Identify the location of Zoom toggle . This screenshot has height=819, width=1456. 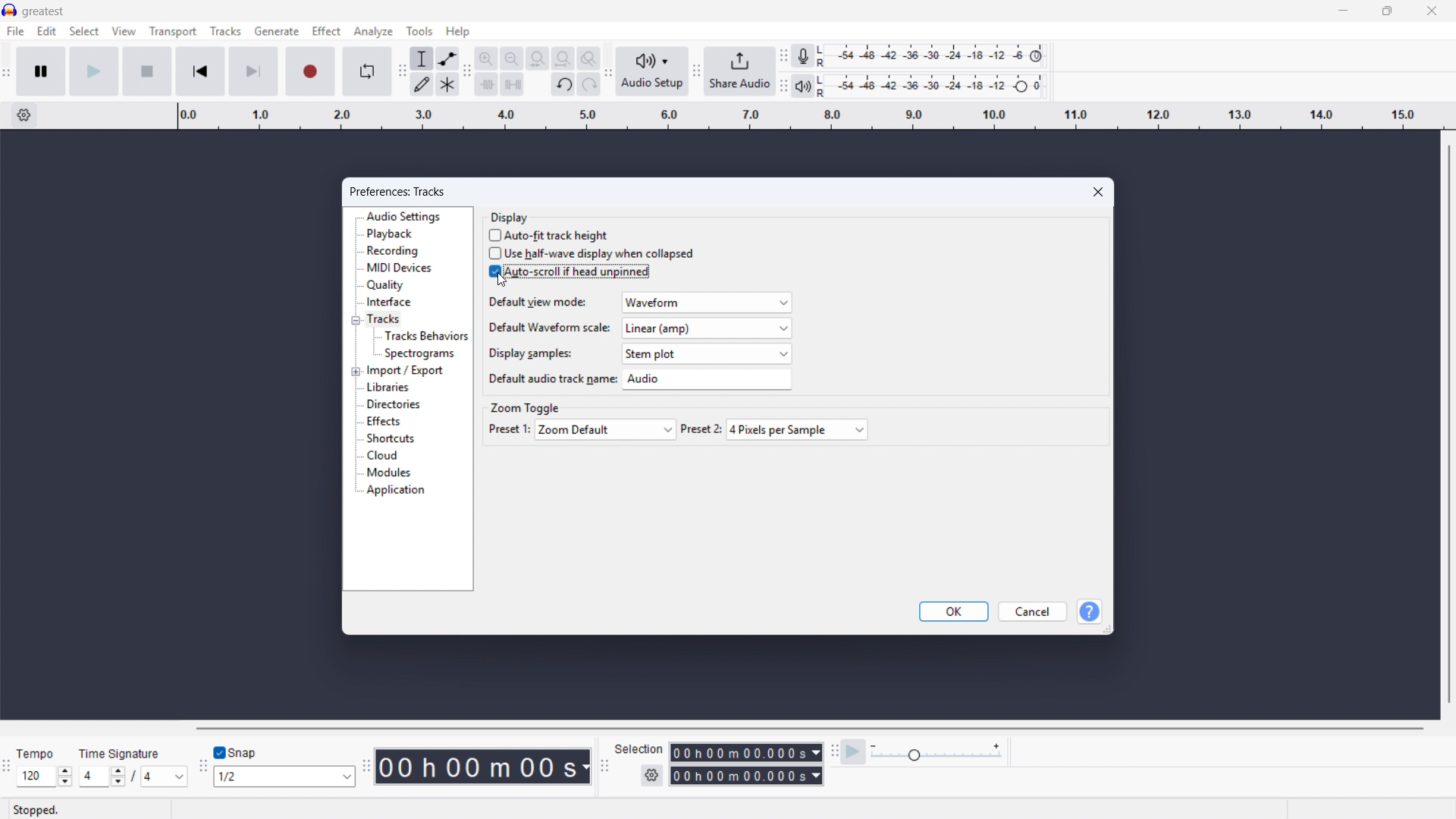
(526, 409).